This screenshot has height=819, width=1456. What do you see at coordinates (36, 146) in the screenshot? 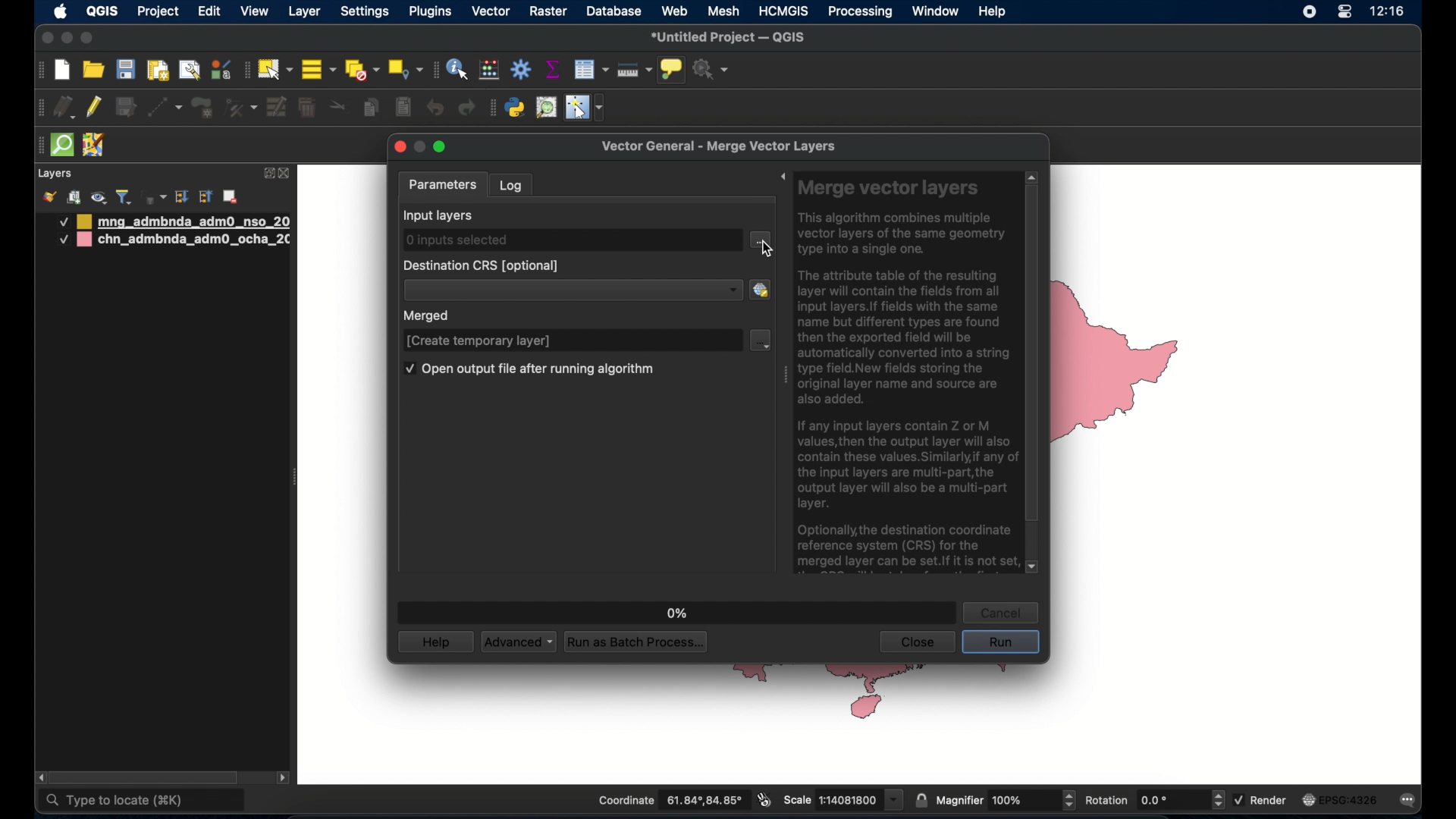
I see `drag handle` at bounding box center [36, 146].